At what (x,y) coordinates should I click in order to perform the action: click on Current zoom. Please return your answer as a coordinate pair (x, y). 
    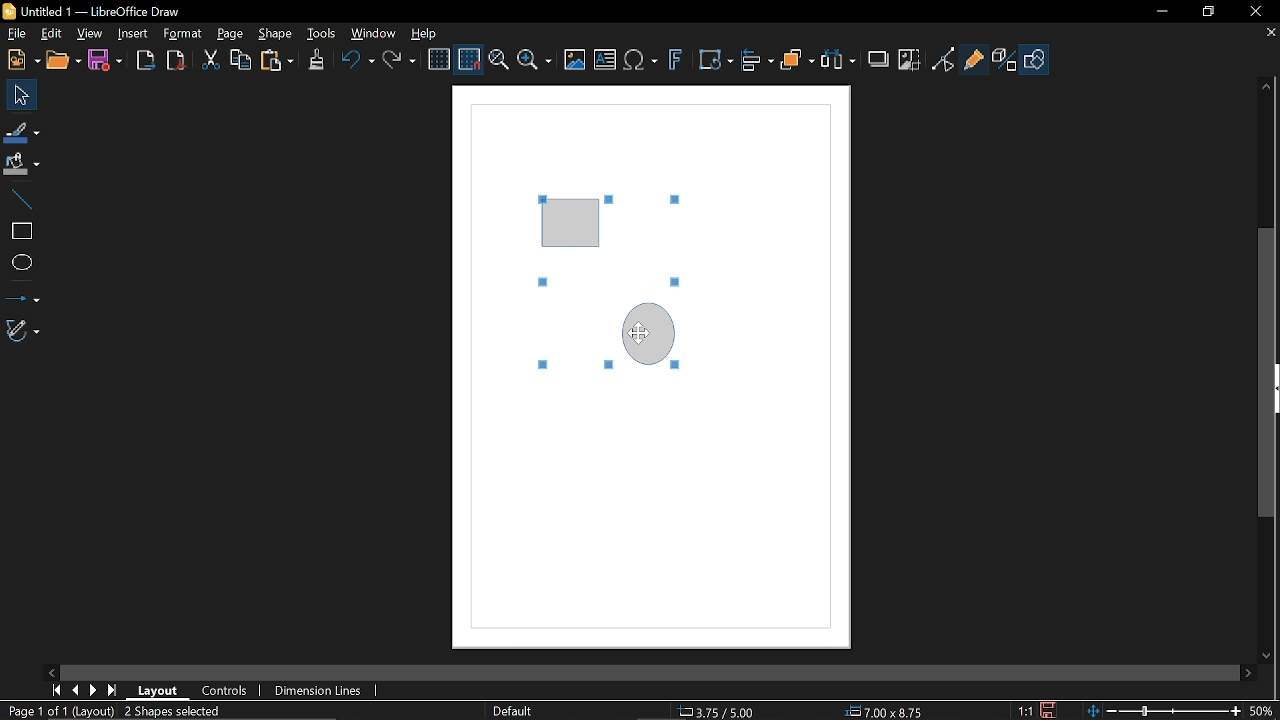
    Looking at the image, I should click on (1266, 712).